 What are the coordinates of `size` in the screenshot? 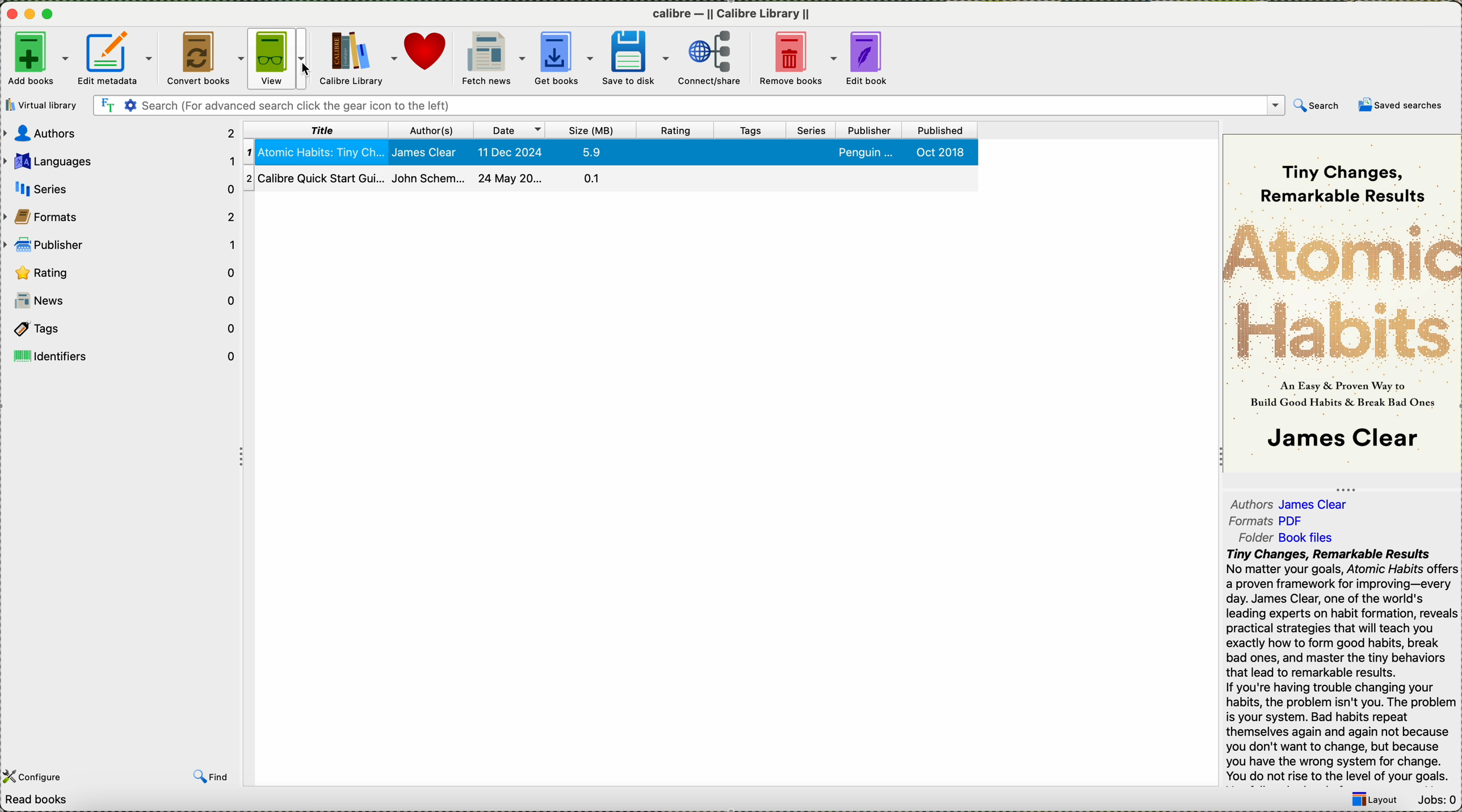 It's located at (593, 132).